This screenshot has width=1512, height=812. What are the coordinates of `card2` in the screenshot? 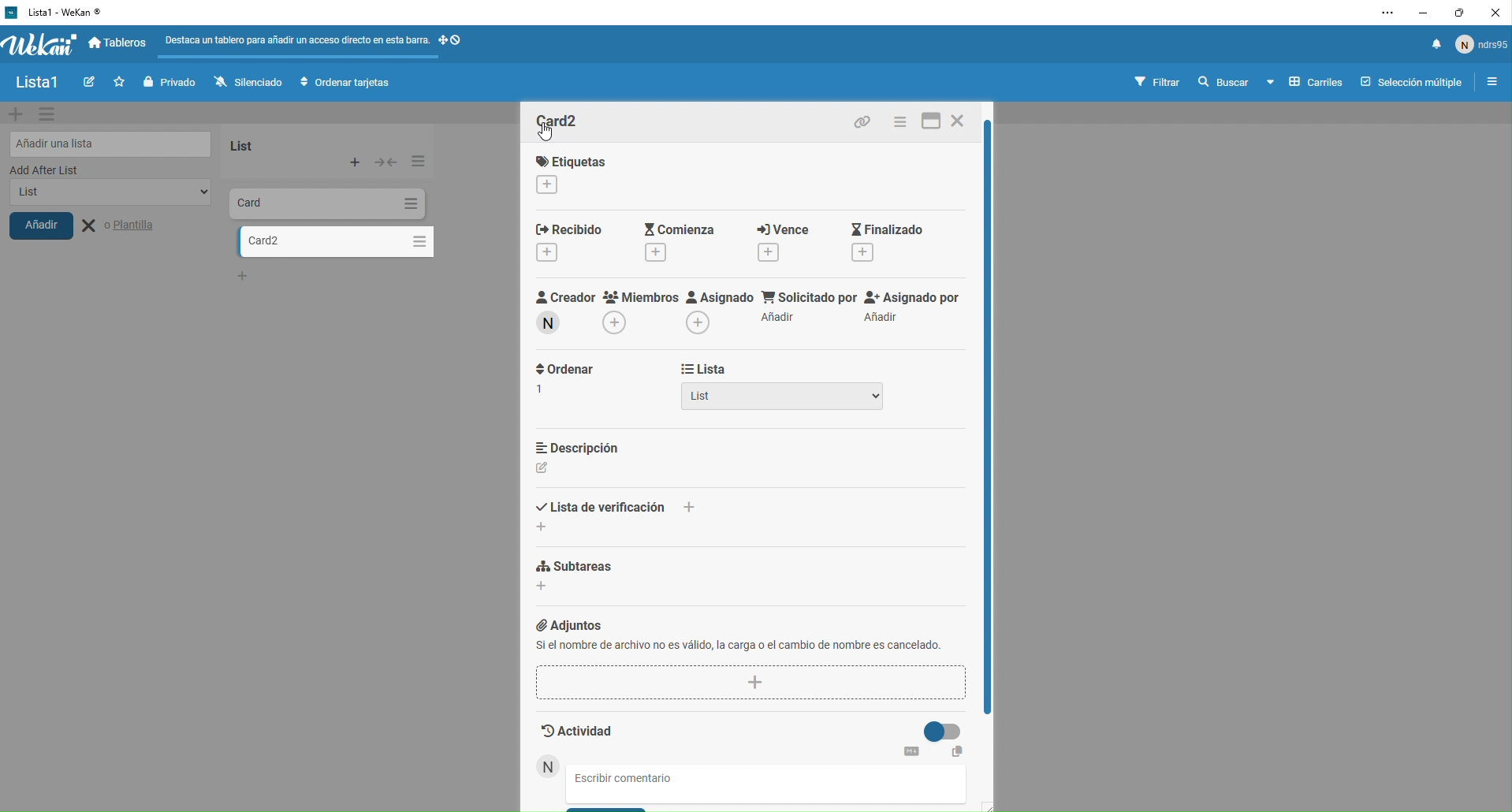 It's located at (568, 124).